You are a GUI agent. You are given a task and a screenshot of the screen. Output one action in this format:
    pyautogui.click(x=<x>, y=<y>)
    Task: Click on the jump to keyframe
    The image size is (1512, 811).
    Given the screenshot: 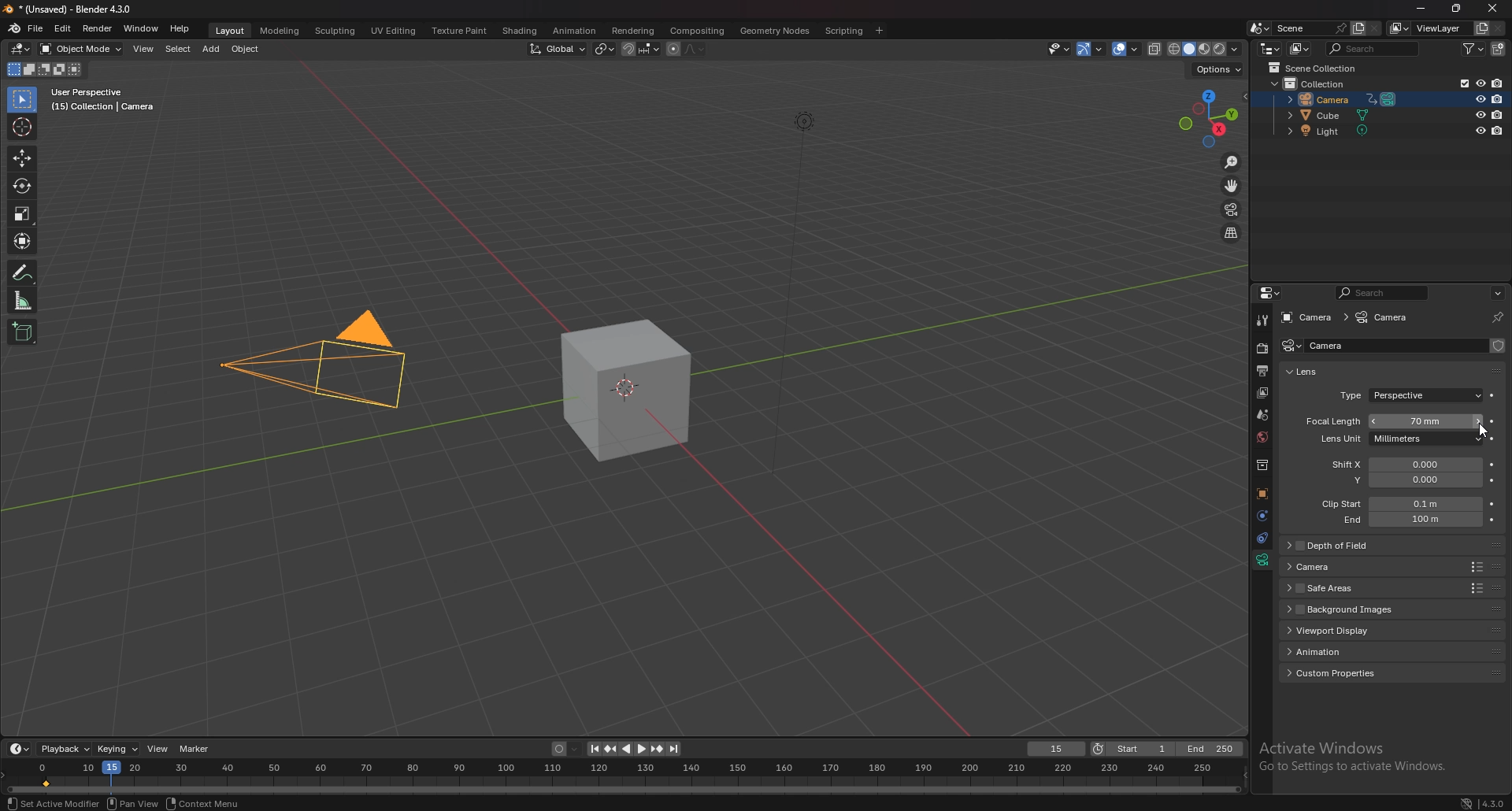 What is the action you would take?
    pyautogui.click(x=657, y=749)
    